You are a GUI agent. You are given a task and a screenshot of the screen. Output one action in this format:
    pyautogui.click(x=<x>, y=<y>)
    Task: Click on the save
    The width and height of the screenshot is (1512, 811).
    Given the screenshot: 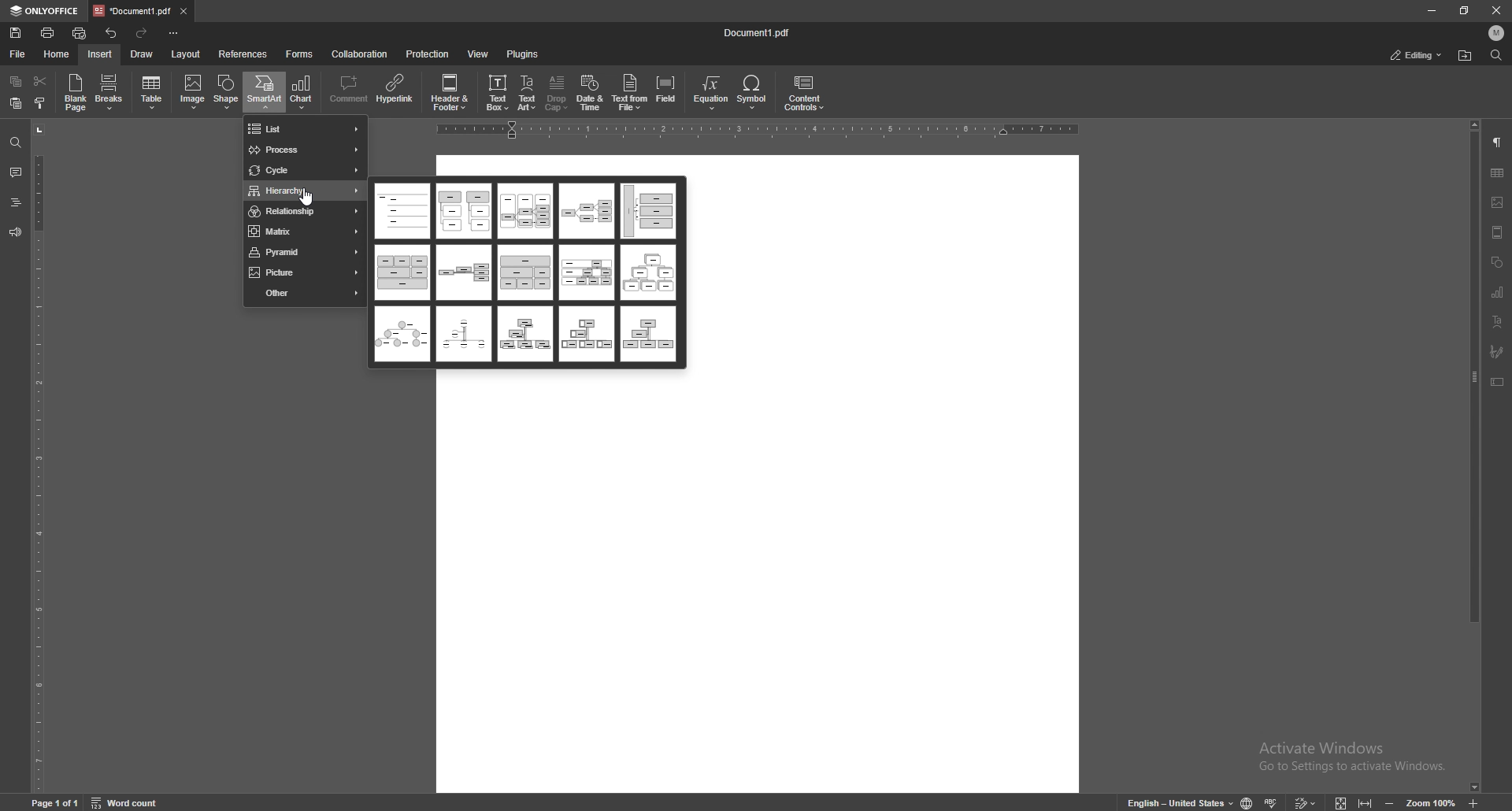 What is the action you would take?
    pyautogui.click(x=16, y=33)
    